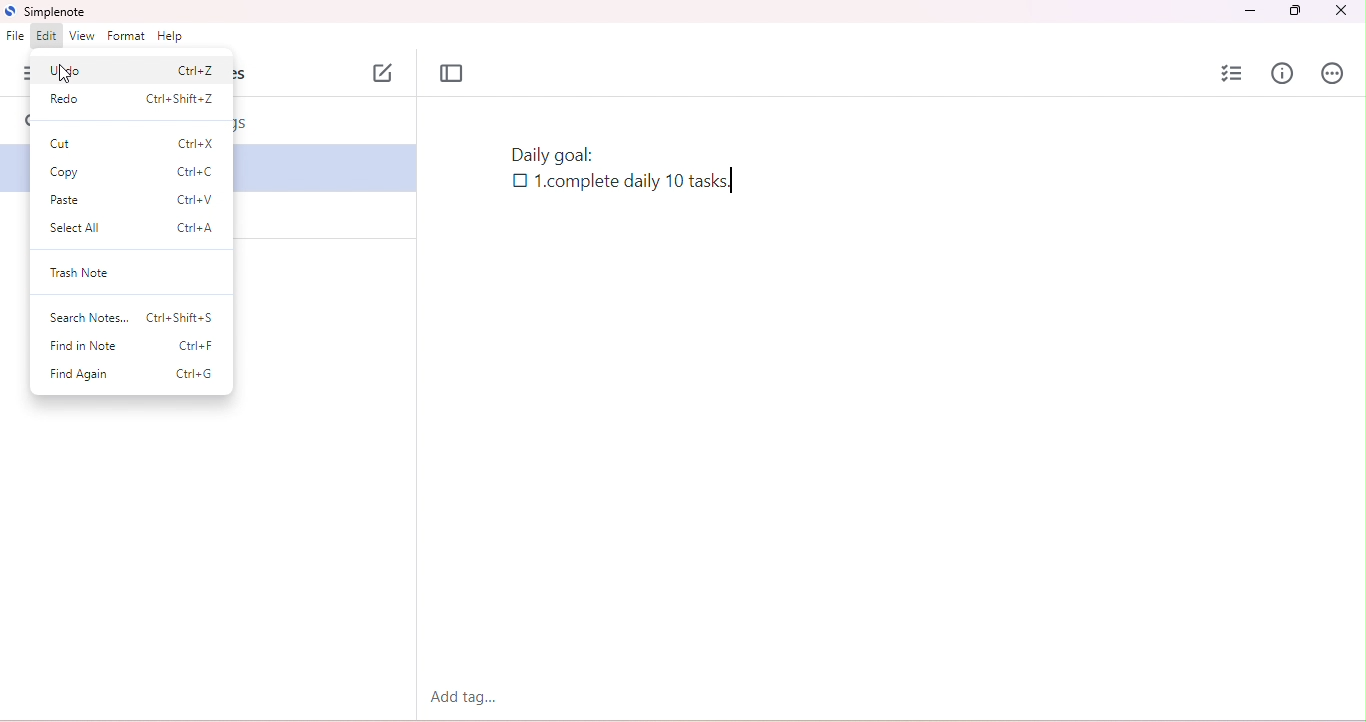 This screenshot has width=1366, height=722. I want to click on trash note, so click(88, 274).